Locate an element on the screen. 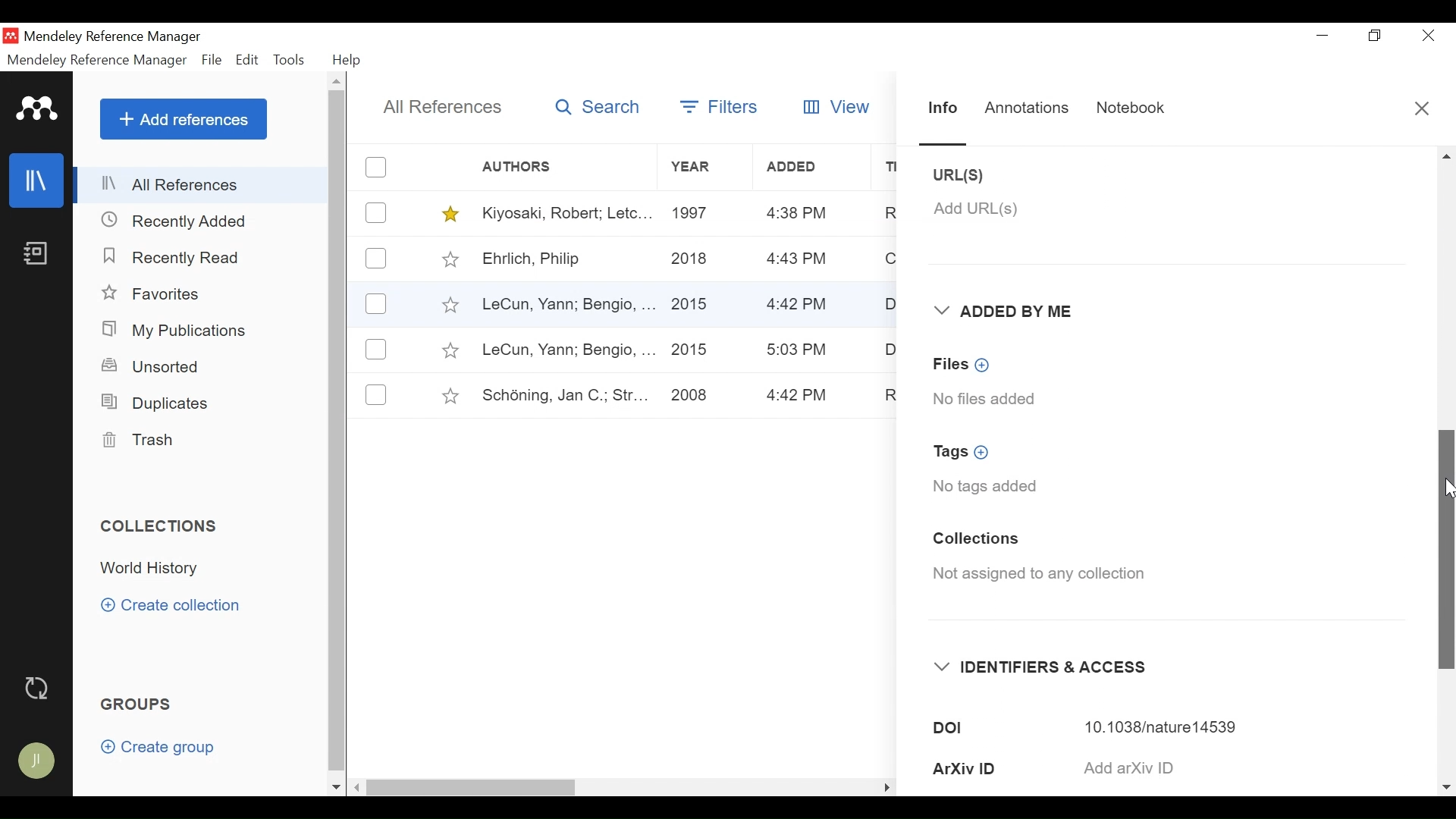  Create category is located at coordinates (172, 604).